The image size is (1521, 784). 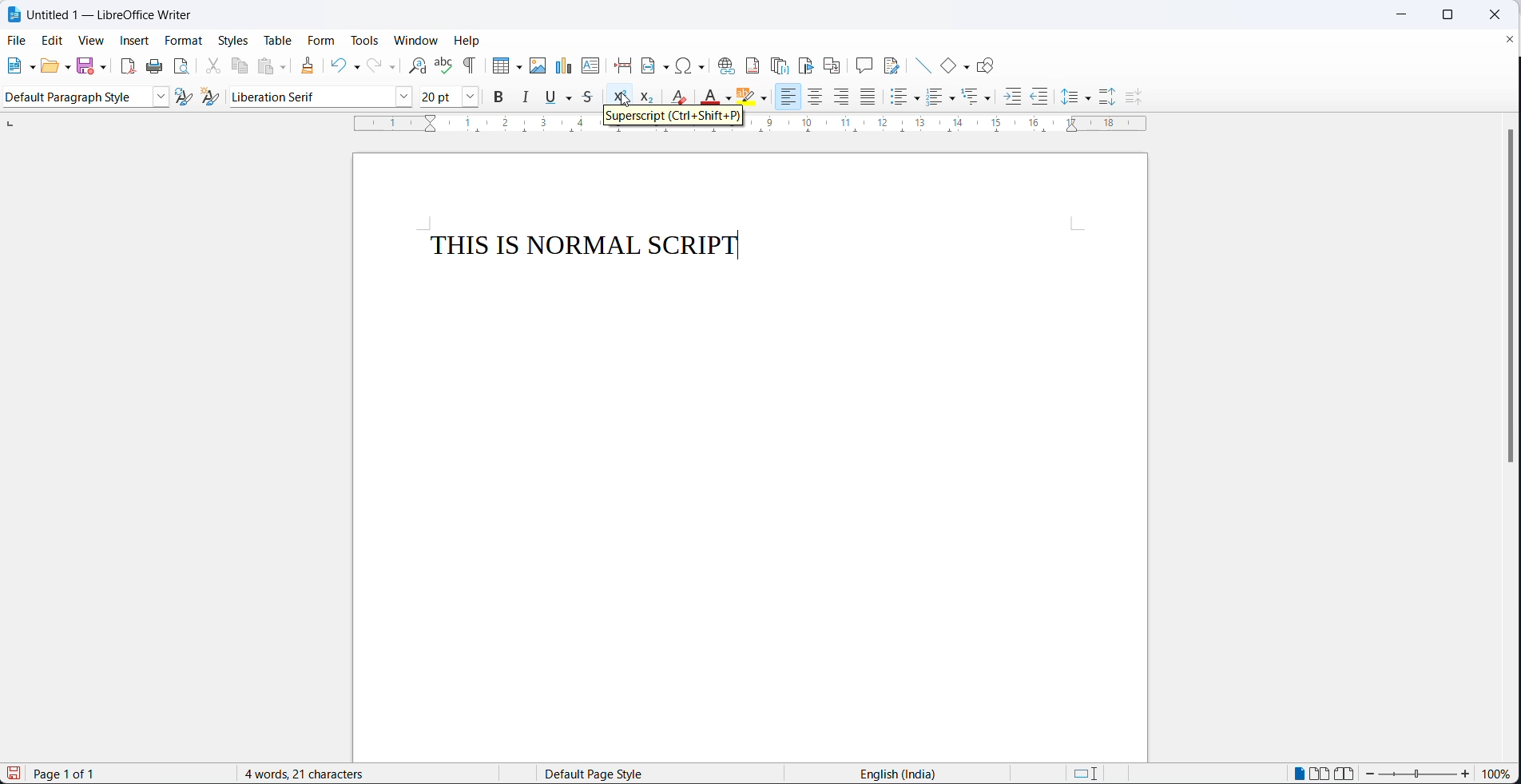 What do you see at coordinates (864, 63) in the screenshot?
I see `insert comments` at bounding box center [864, 63].